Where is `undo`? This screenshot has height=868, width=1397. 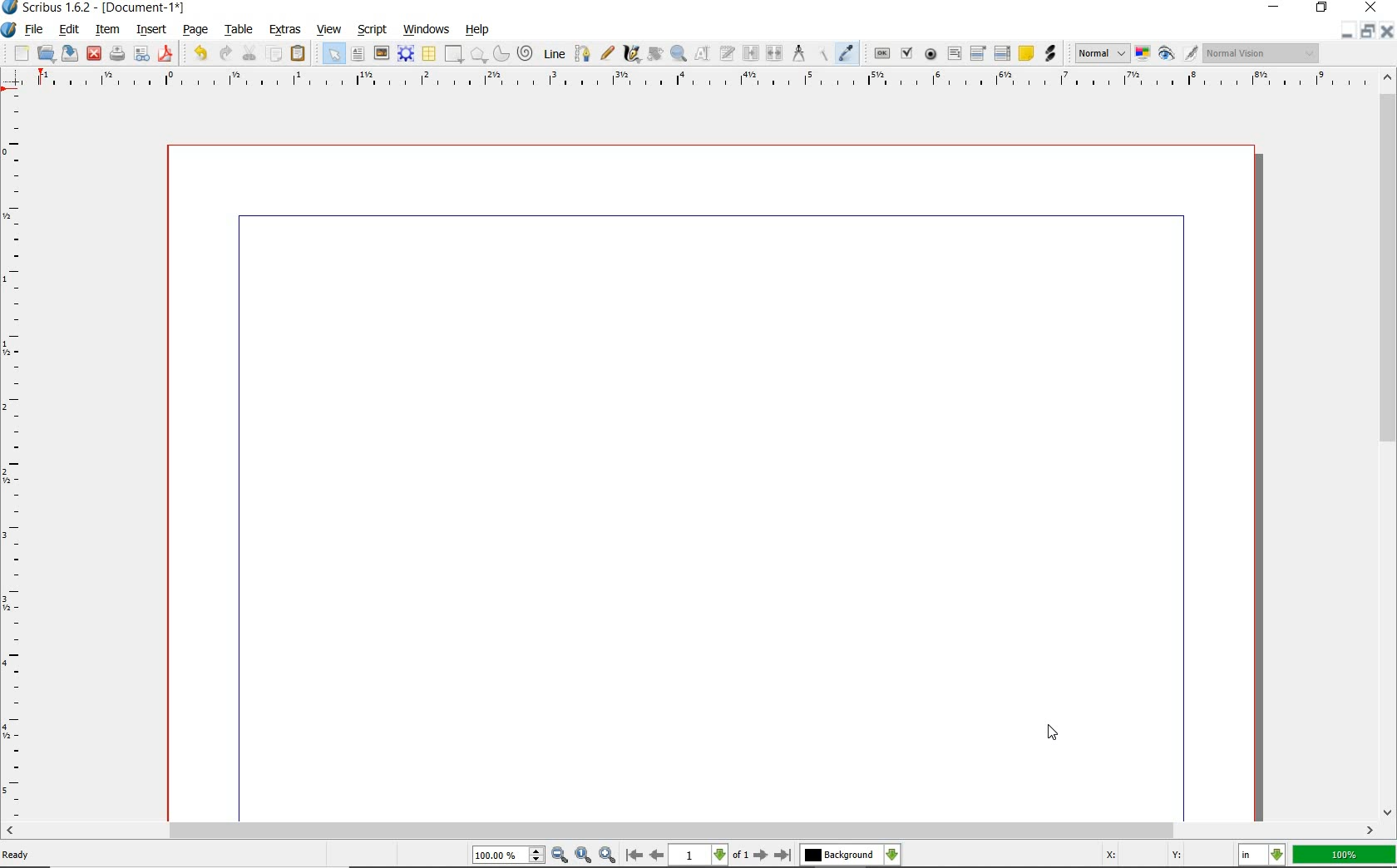
undo is located at coordinates (200, 53).